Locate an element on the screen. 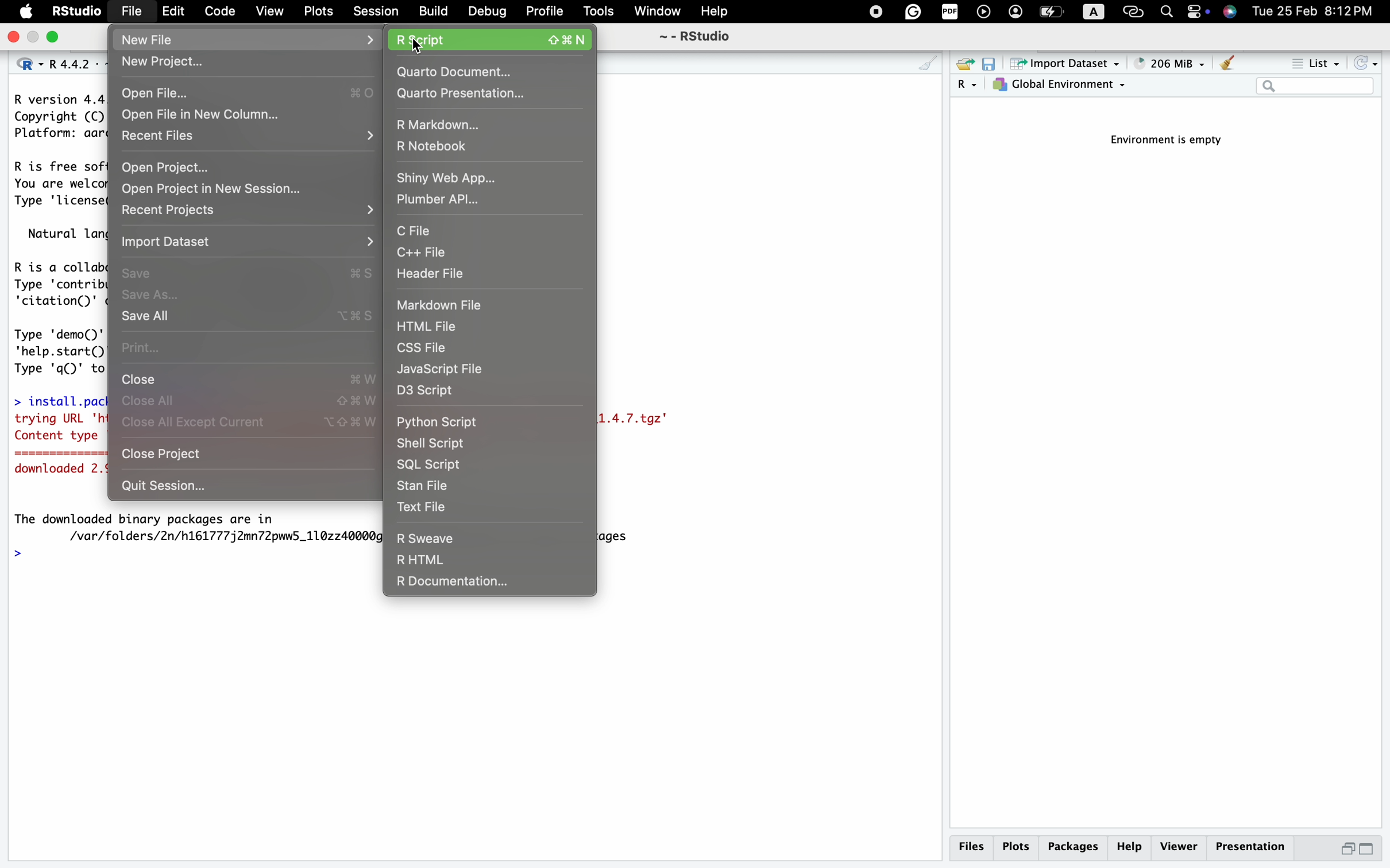  148 MiB is located at coordinates (1169, 64).